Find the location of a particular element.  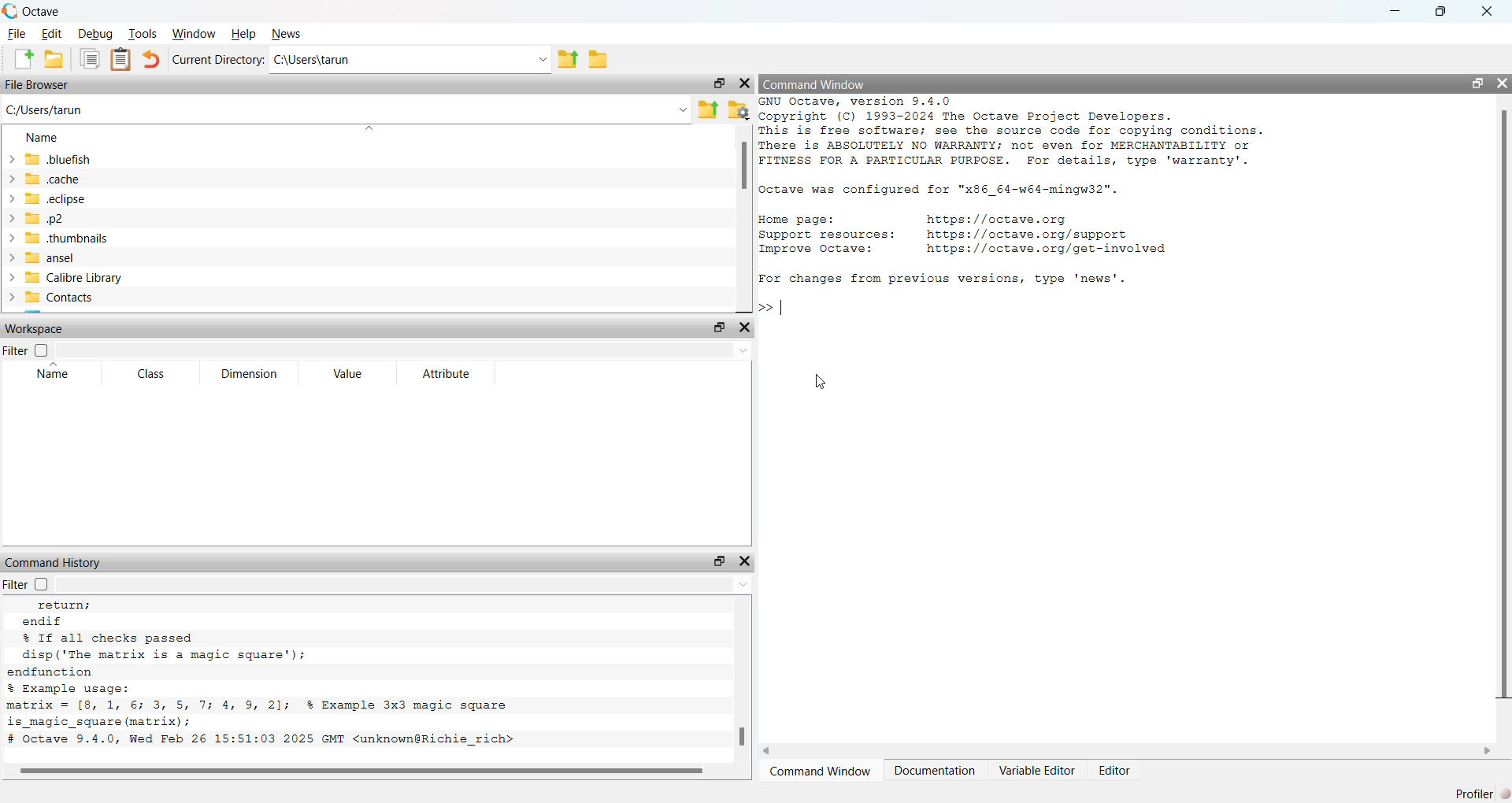

Scroll bar is located at coordinates (743, 166).